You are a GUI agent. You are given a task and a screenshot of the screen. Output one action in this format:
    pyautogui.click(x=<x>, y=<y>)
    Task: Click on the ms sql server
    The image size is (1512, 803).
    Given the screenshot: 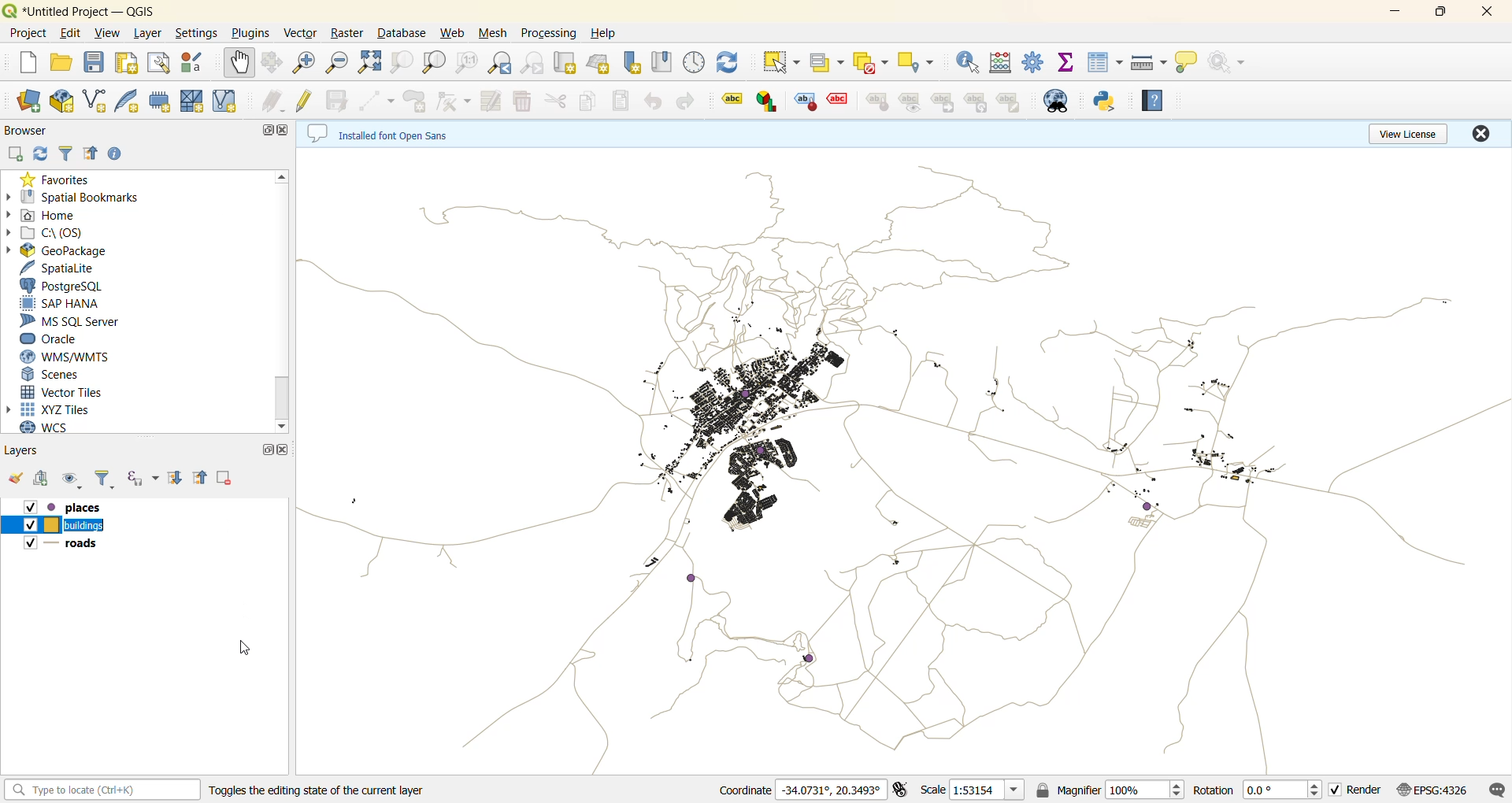 What is the action you would take?
    pyautogui.click(x=71, y=320)
    